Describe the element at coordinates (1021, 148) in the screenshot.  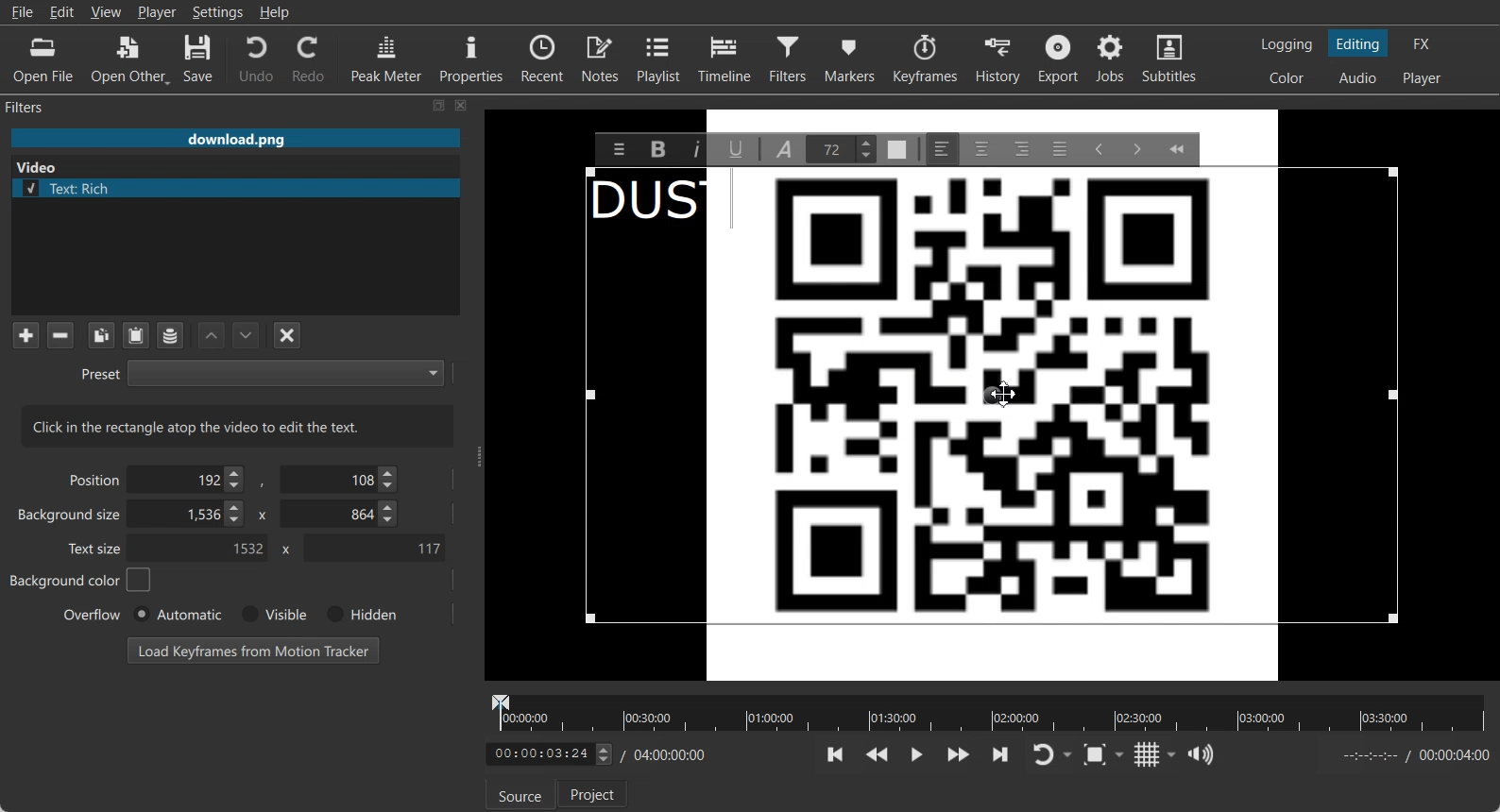
I see `Right` at that location.